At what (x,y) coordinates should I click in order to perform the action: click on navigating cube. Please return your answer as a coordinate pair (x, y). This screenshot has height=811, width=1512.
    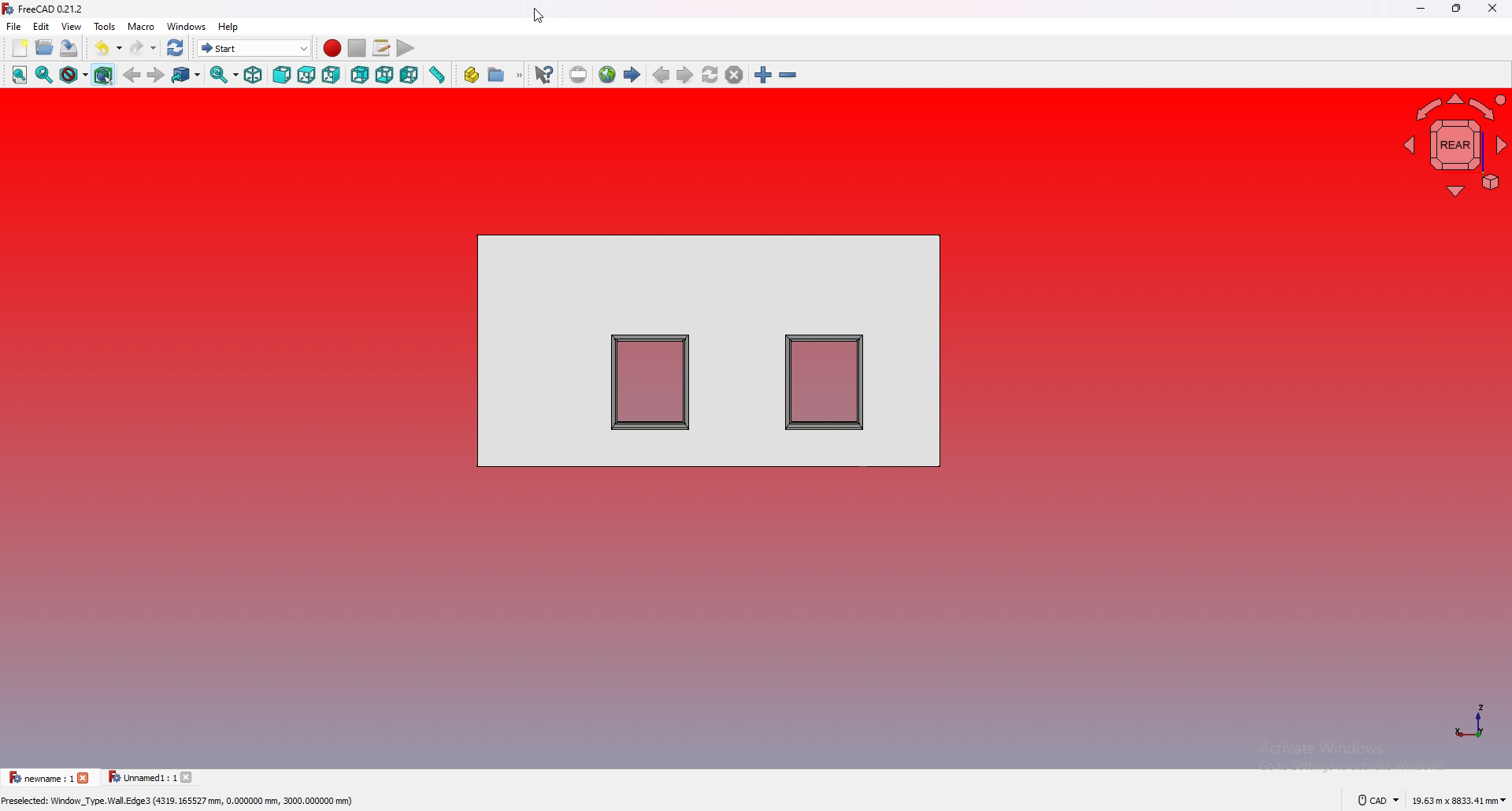
    Looking at the image, I should click on (1454, 147).